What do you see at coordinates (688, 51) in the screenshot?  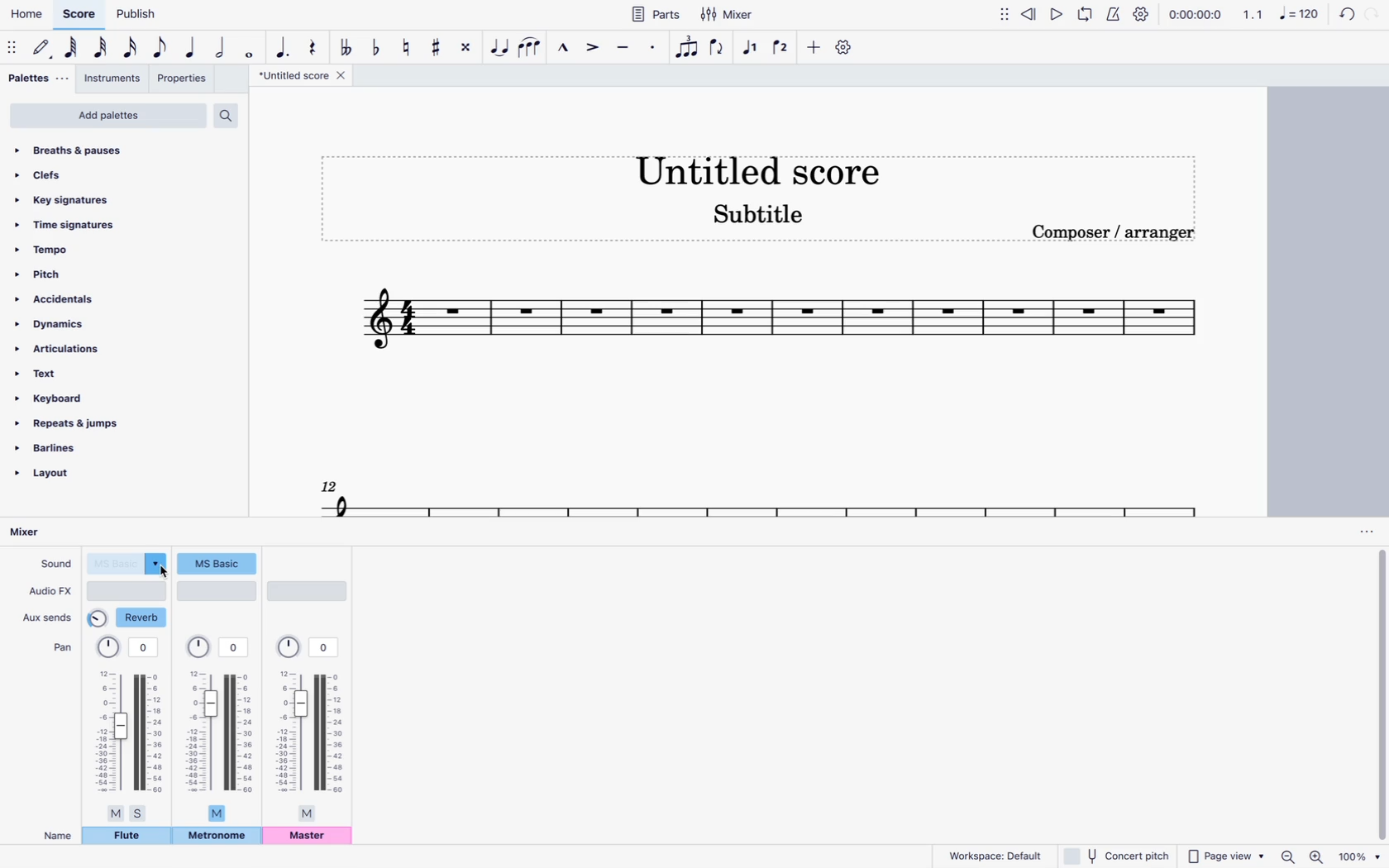 I see `tuplet` at bounding box center [688, 51].